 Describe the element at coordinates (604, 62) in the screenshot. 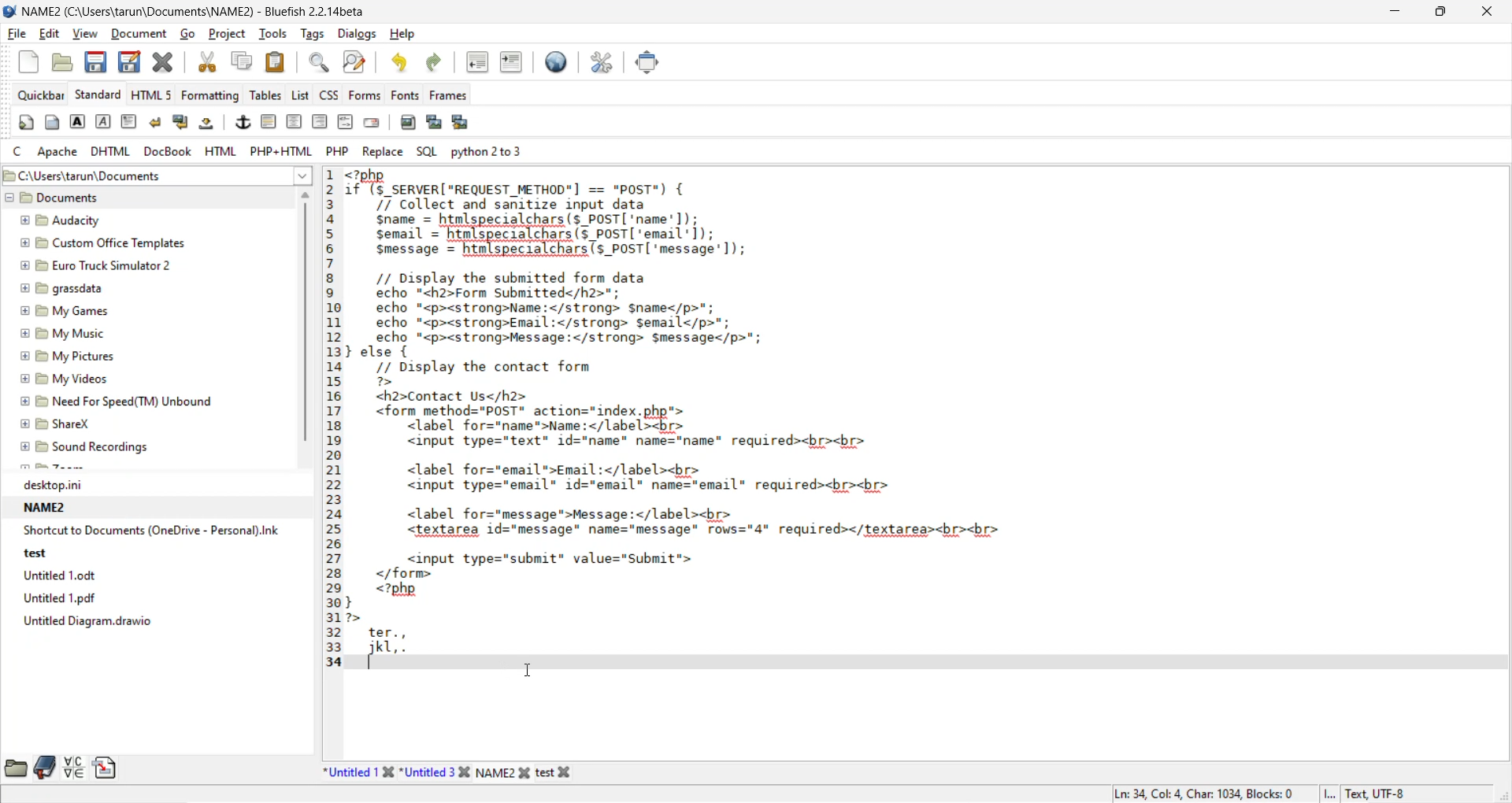

I see `edit preferences` at that location.